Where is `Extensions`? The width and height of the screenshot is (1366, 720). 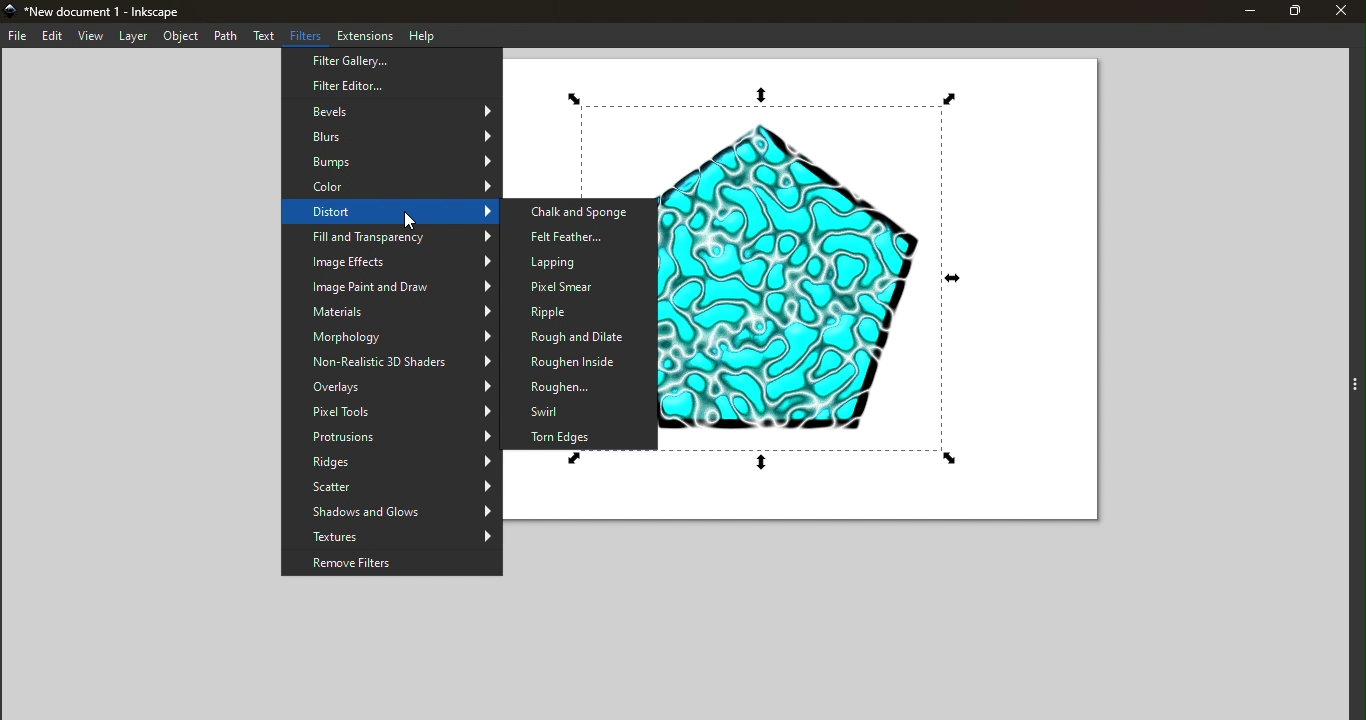 Extensions is located at coordinates (365, 35).